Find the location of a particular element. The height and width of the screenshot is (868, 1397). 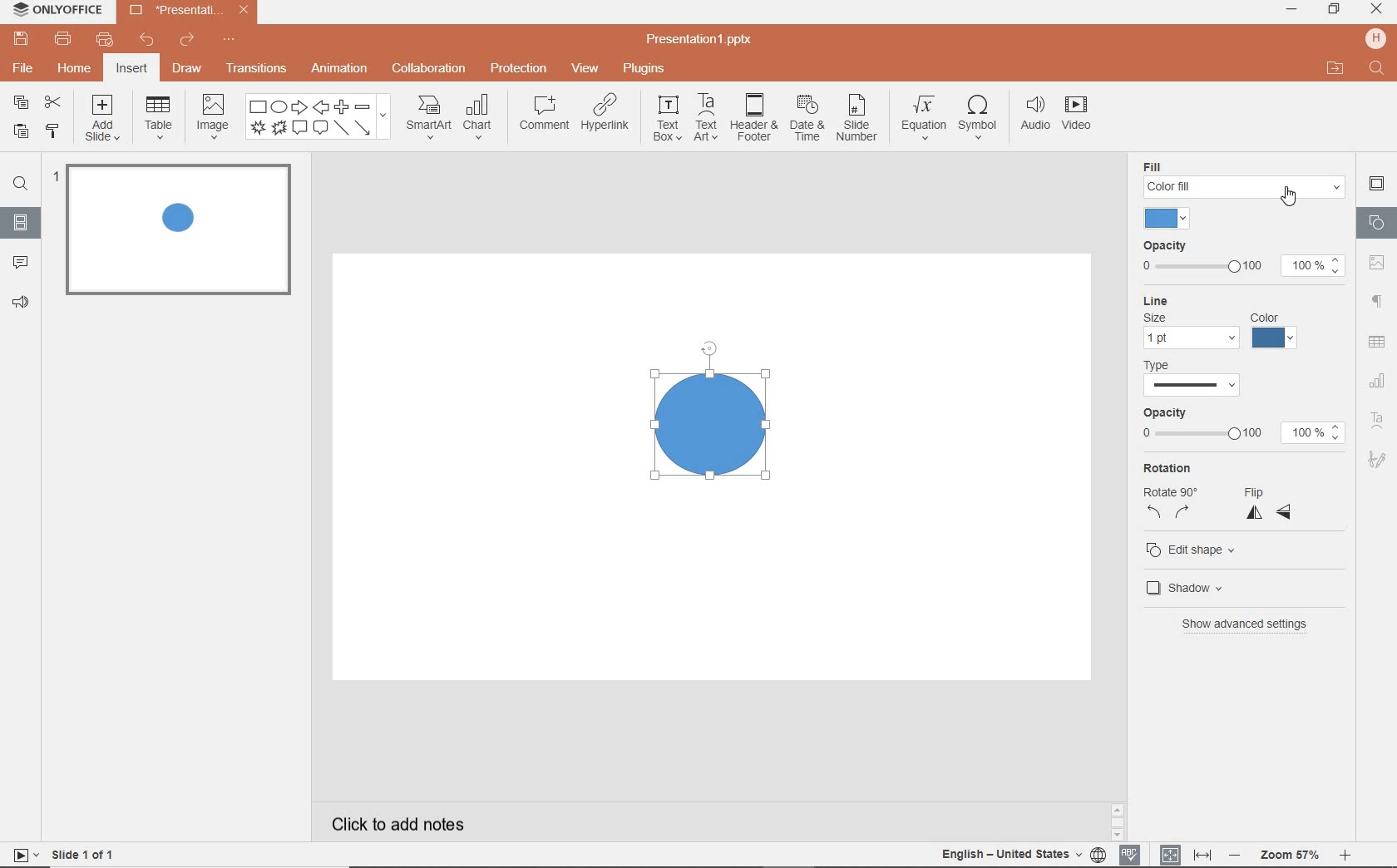

protection is located at coordinates (518, 70).